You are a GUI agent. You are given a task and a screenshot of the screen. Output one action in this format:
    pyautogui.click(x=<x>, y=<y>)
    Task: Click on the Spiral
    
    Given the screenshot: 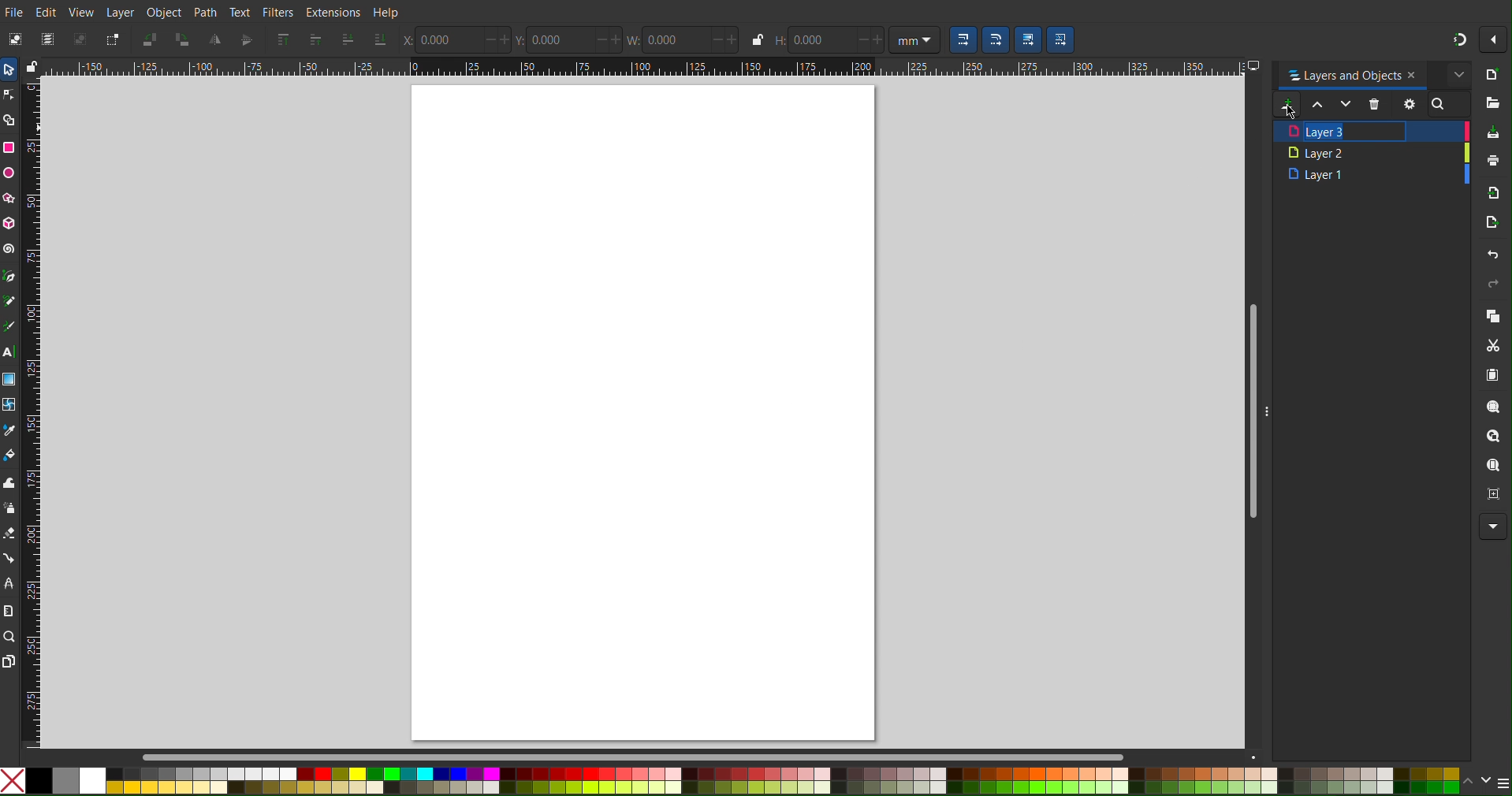 What is the action you would take?
    pyautogui.click(x=10, y=246)
    